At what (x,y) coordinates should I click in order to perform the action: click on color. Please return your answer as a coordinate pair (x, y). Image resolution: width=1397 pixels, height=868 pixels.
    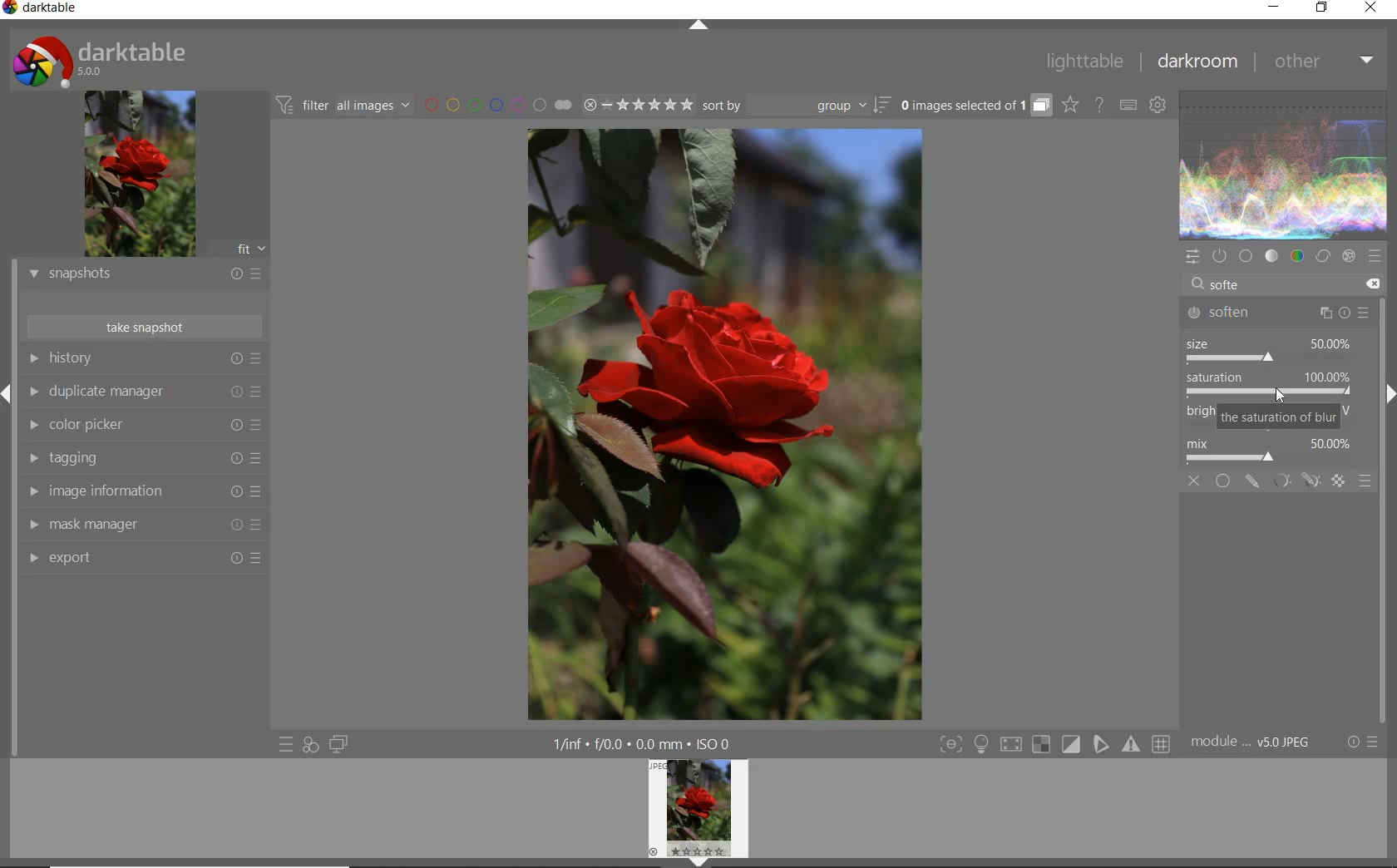
    Looking at the image, I should click on (1298, 256).